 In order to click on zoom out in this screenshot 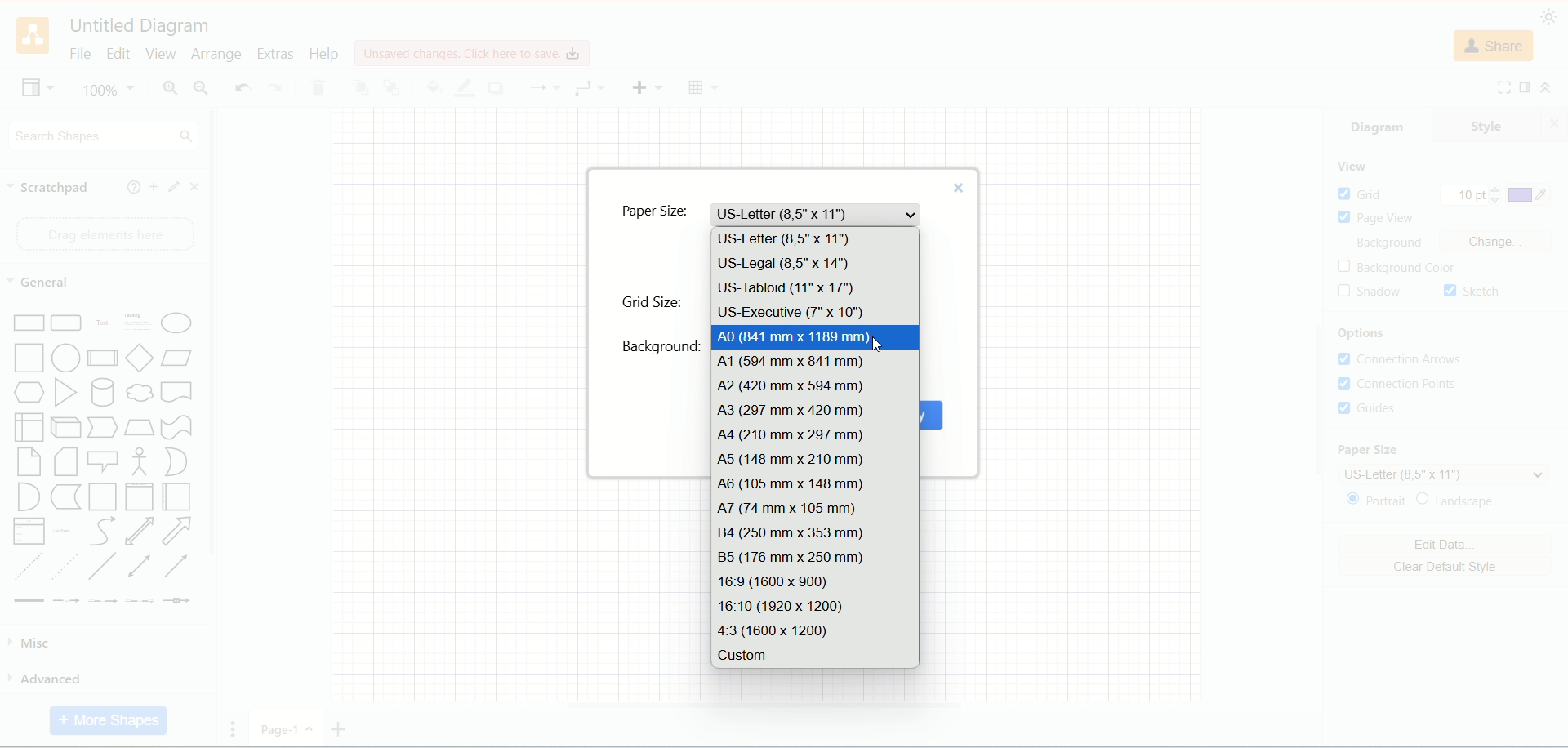, I will do `click(202, 87)`.